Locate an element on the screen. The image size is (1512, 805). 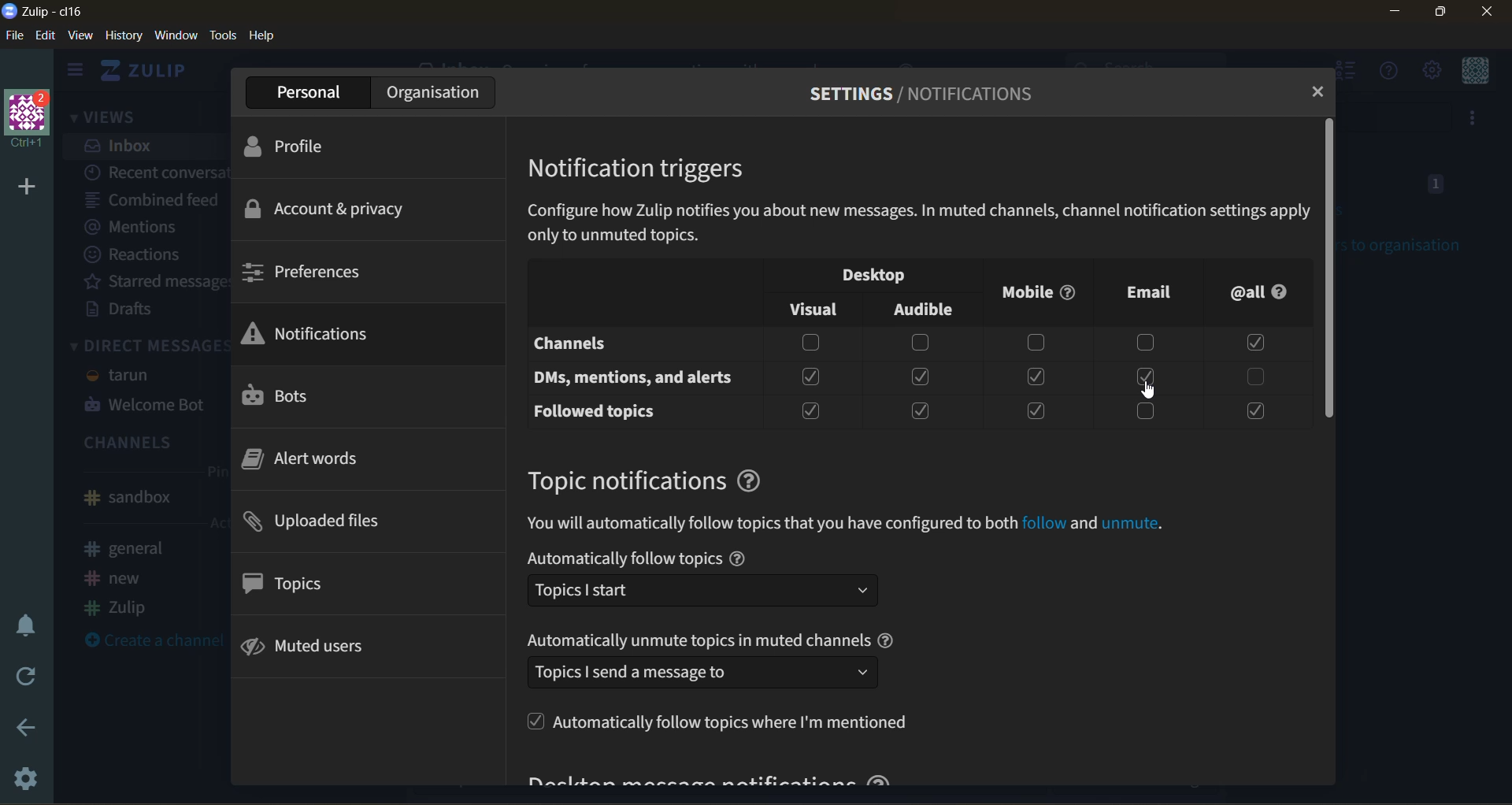
checkbox is located at coordinates (918, 343).